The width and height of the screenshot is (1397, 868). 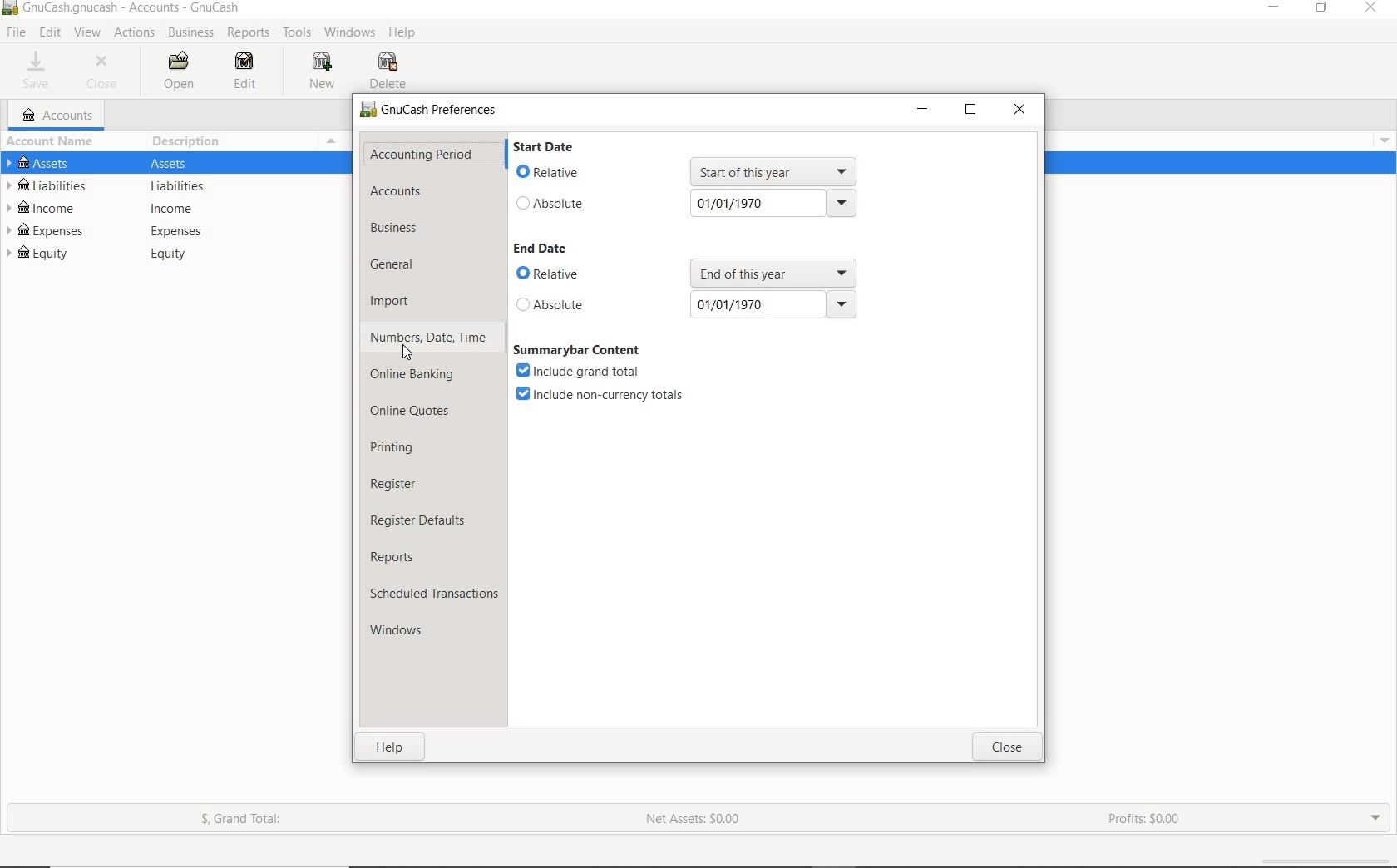 I want to click on SAVE, so click(x=37, y=72).